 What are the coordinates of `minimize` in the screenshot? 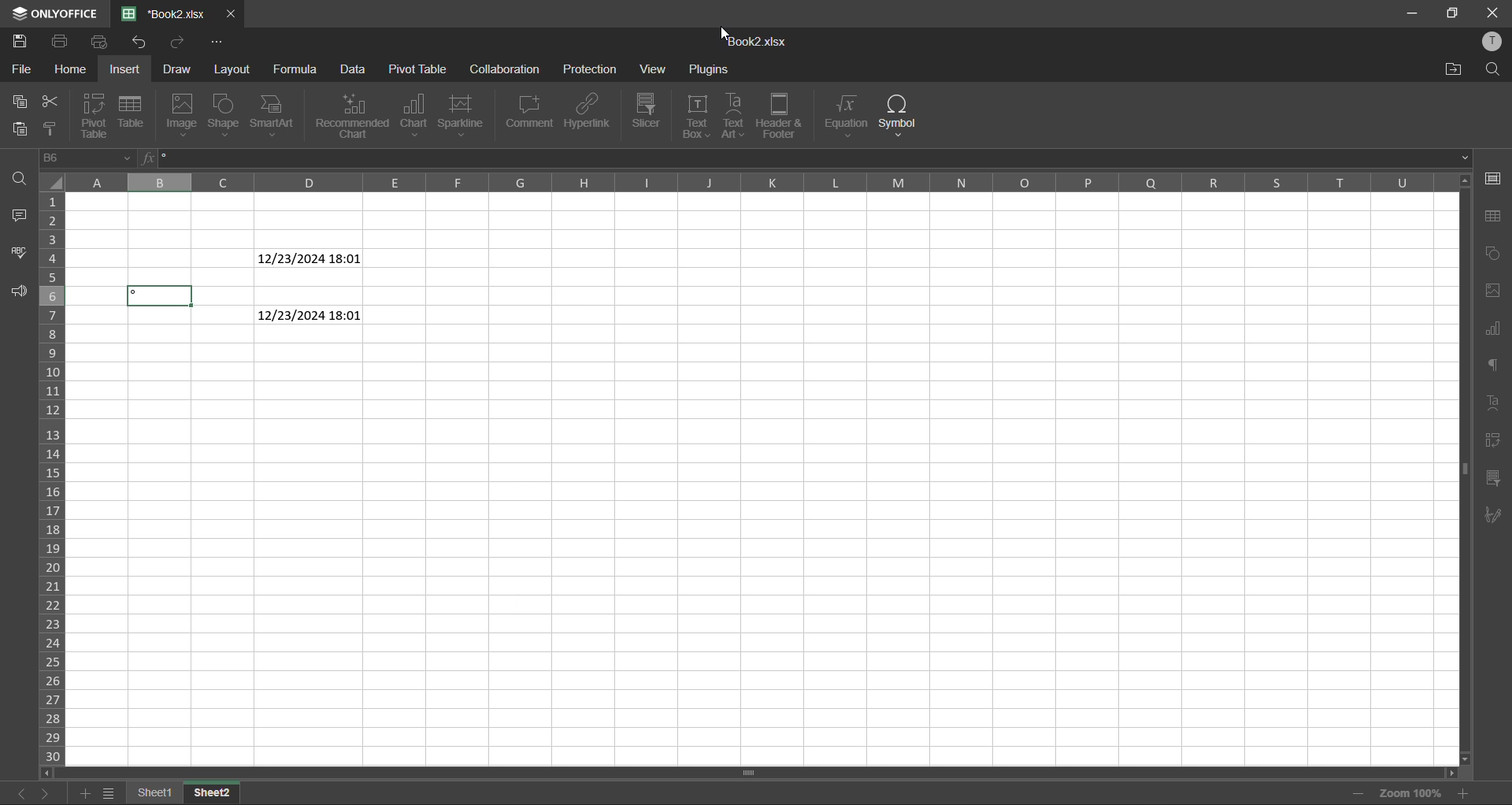 It's located at (1408, 14).